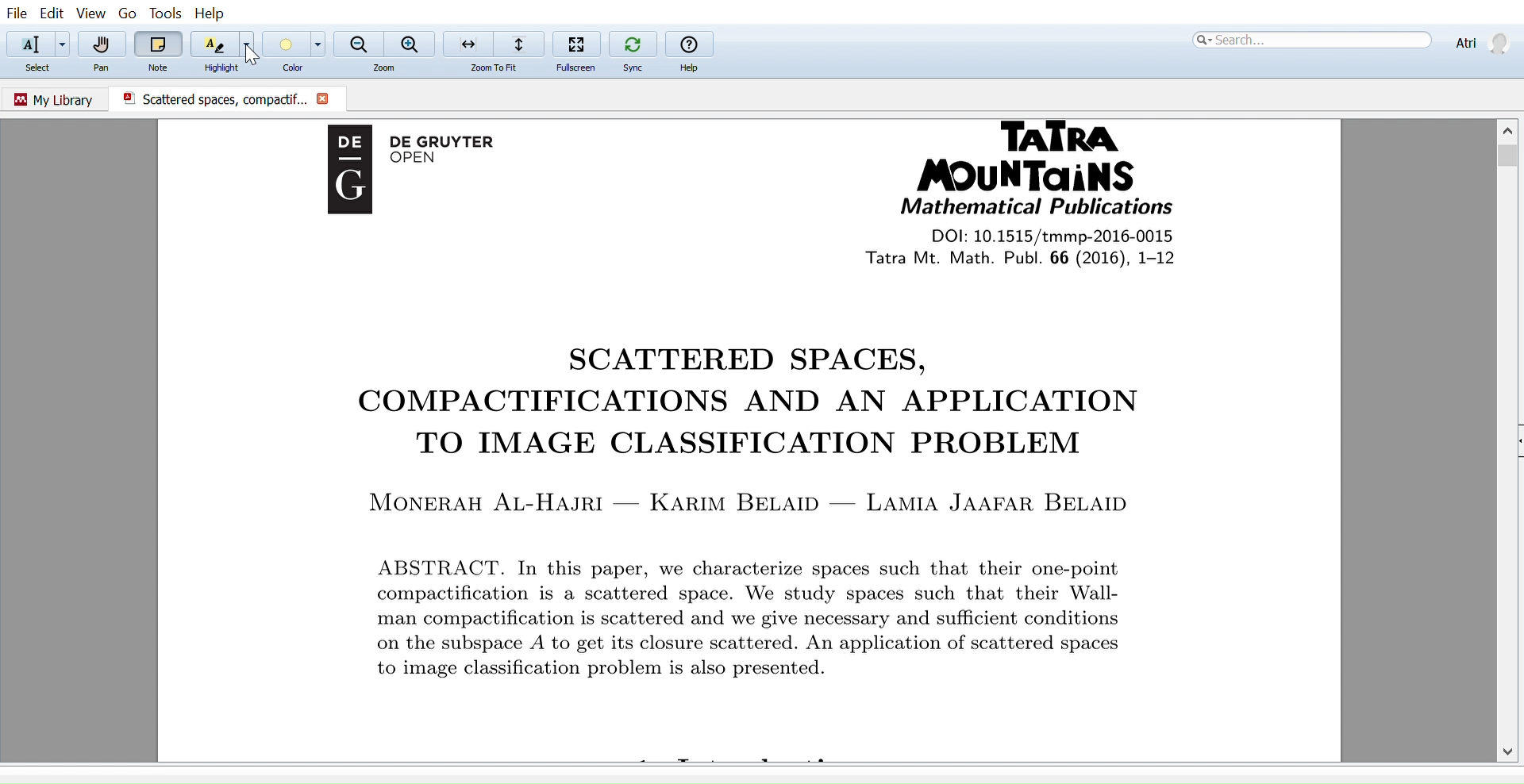  Describe the element at coordinates (104, 44) in the screenshot. I see `Pan` at that location.